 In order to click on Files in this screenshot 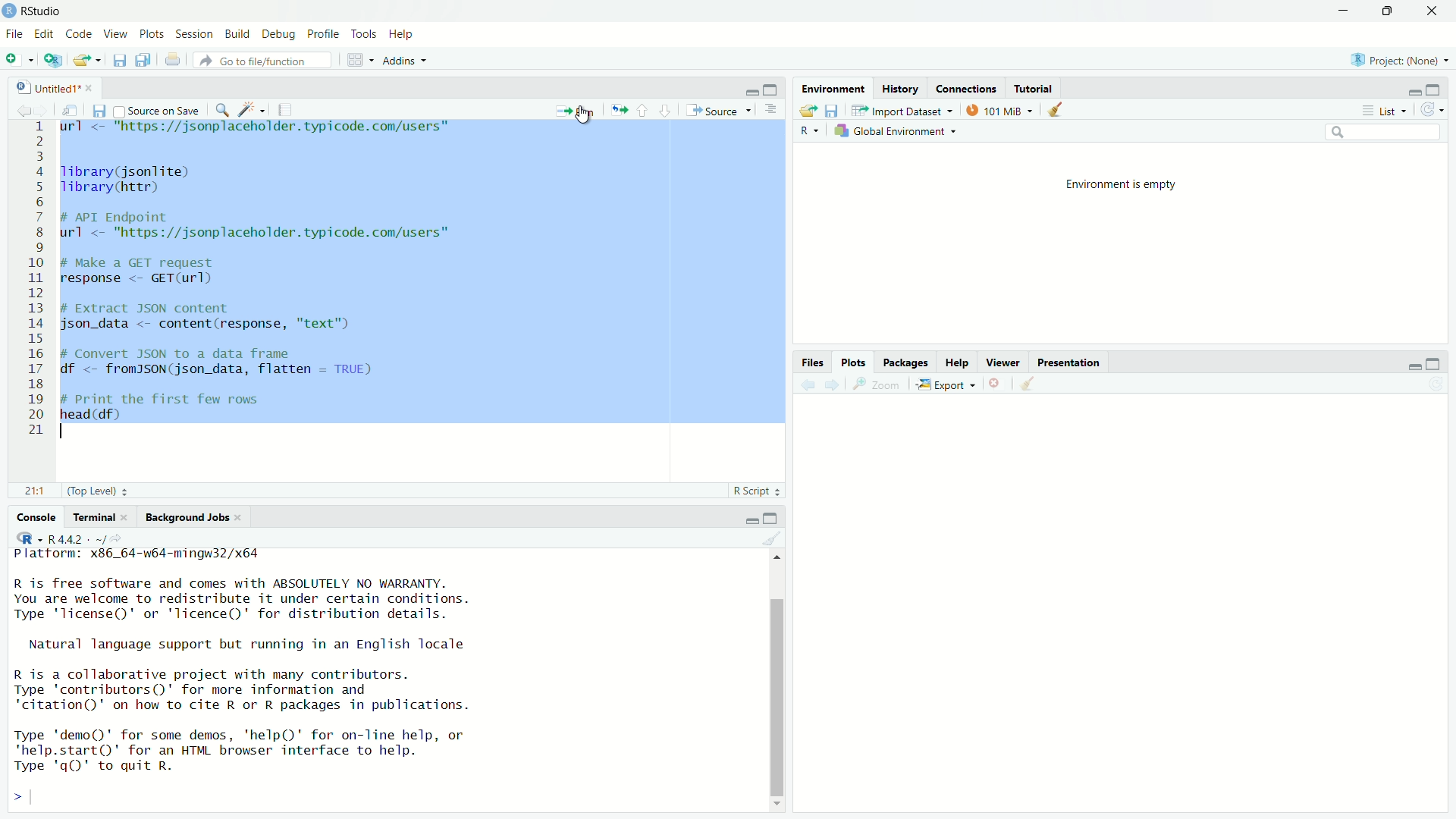, I will do `click(814, 362)`.